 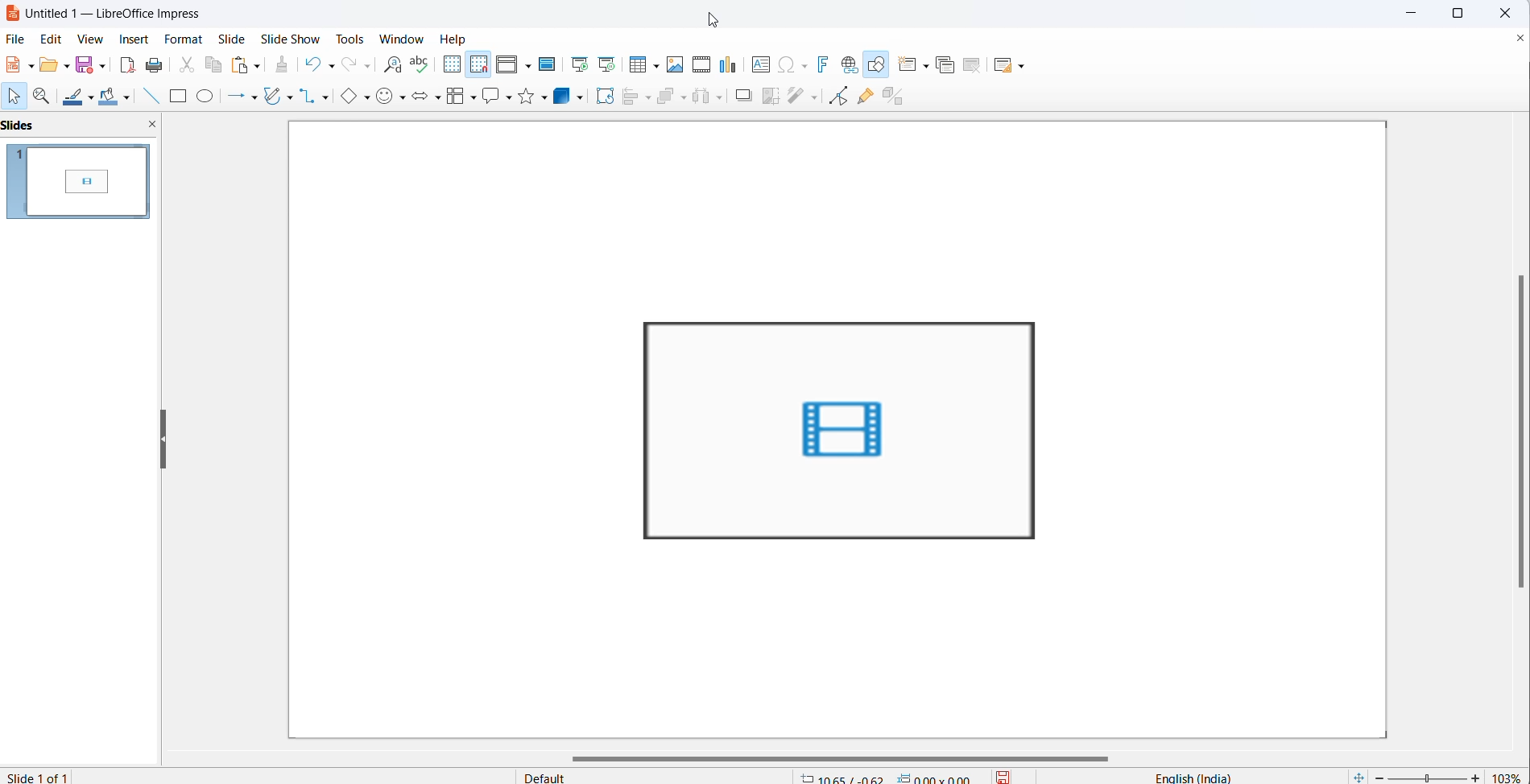 I want to click on distribute objects, so click(x=804, y=97).